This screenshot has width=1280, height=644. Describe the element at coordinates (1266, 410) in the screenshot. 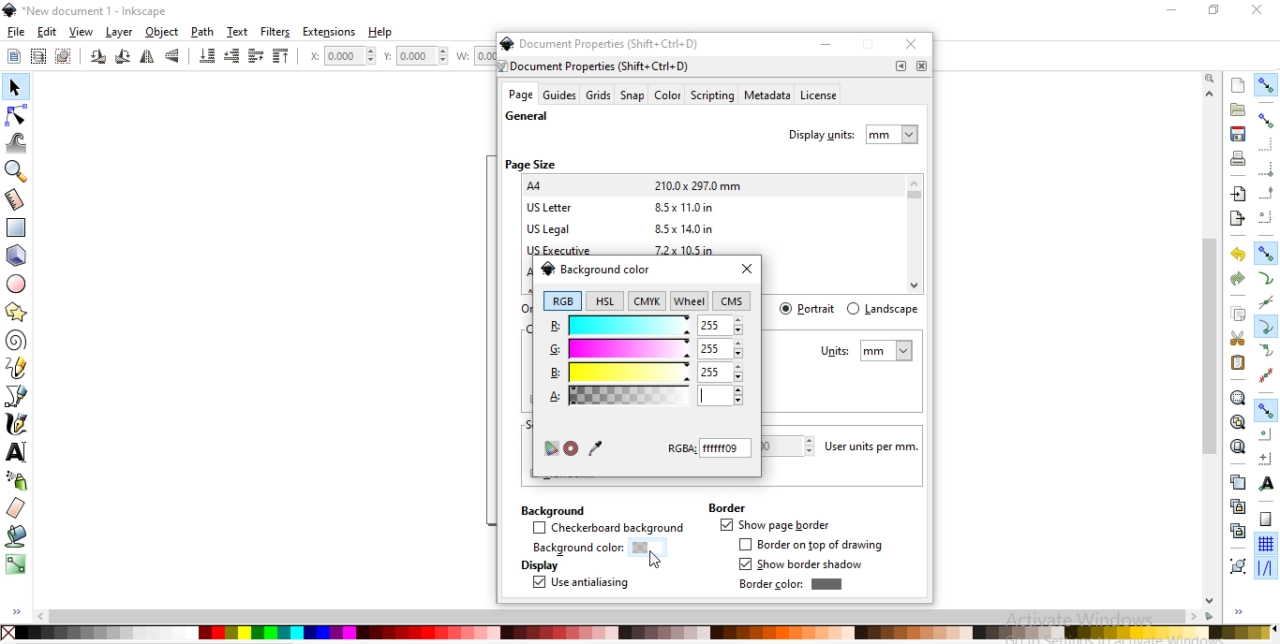

I see `snap other points` at that location.